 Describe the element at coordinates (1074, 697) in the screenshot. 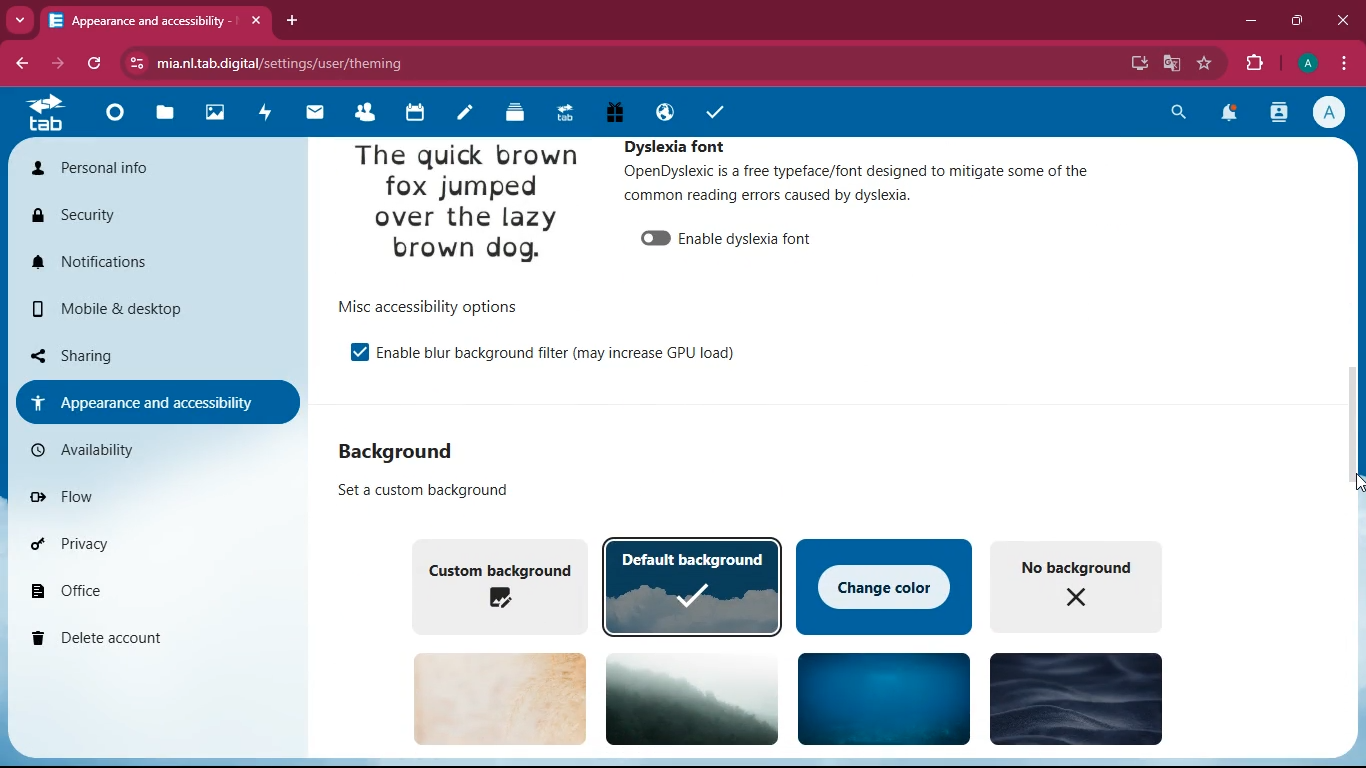

I see `background` at that location.